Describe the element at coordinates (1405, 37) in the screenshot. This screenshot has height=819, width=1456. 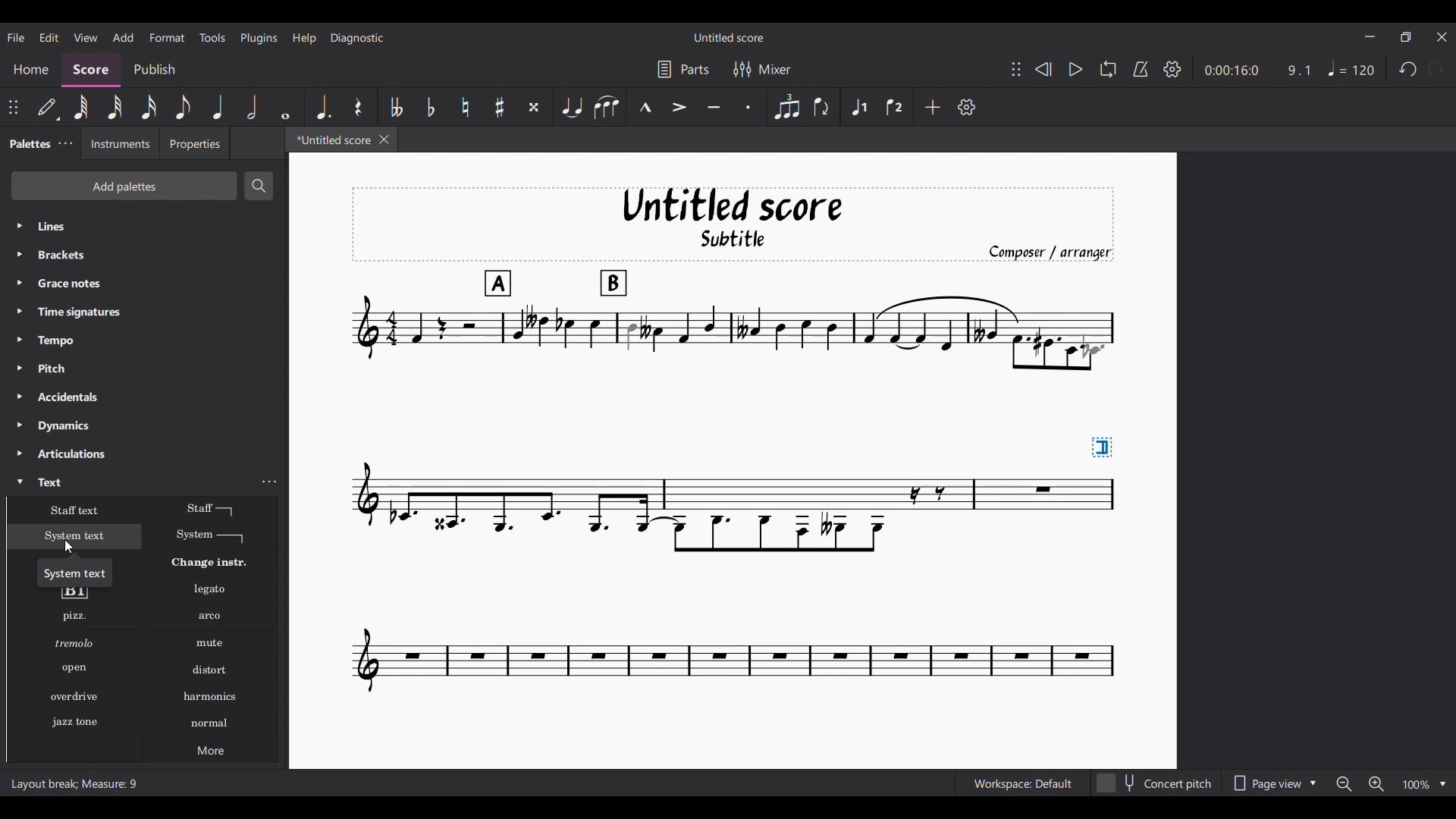
I see `Show in smaller tab` at that location.